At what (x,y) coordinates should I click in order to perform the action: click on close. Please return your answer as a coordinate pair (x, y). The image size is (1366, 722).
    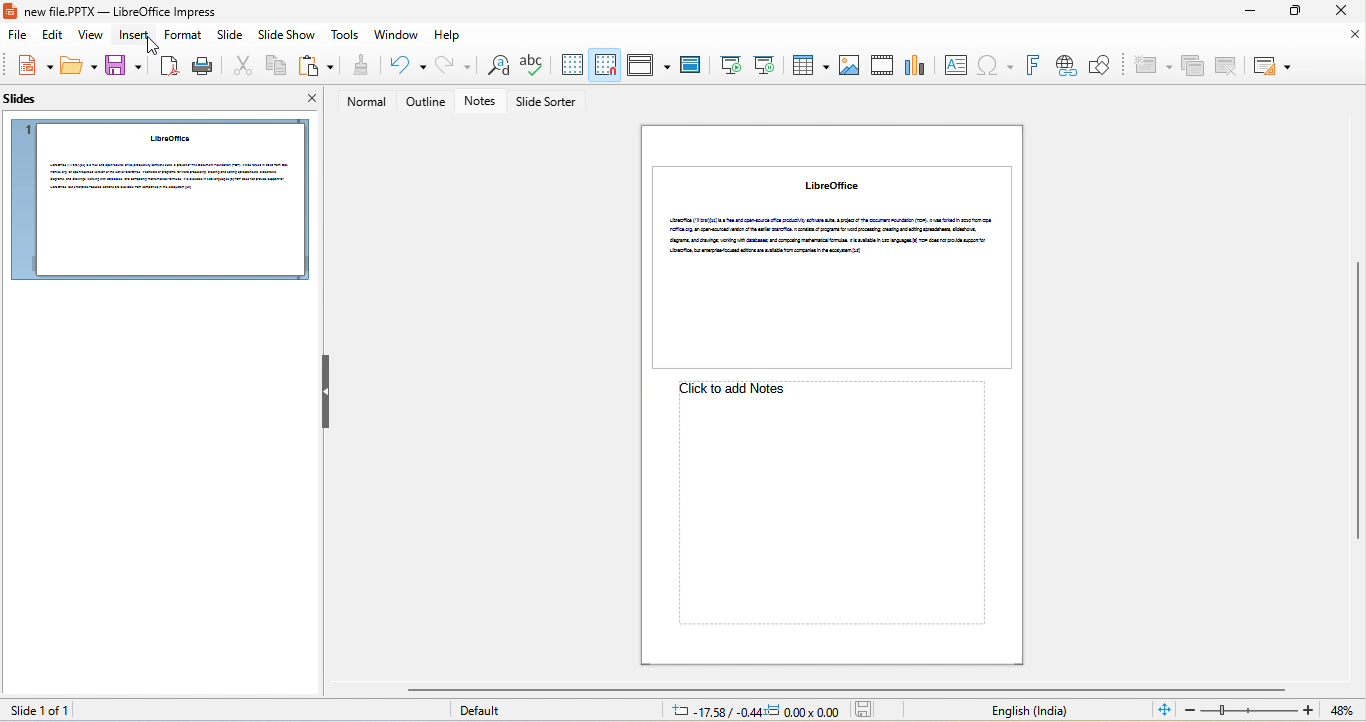
    Looking at the image, I should click on (1356, 35).